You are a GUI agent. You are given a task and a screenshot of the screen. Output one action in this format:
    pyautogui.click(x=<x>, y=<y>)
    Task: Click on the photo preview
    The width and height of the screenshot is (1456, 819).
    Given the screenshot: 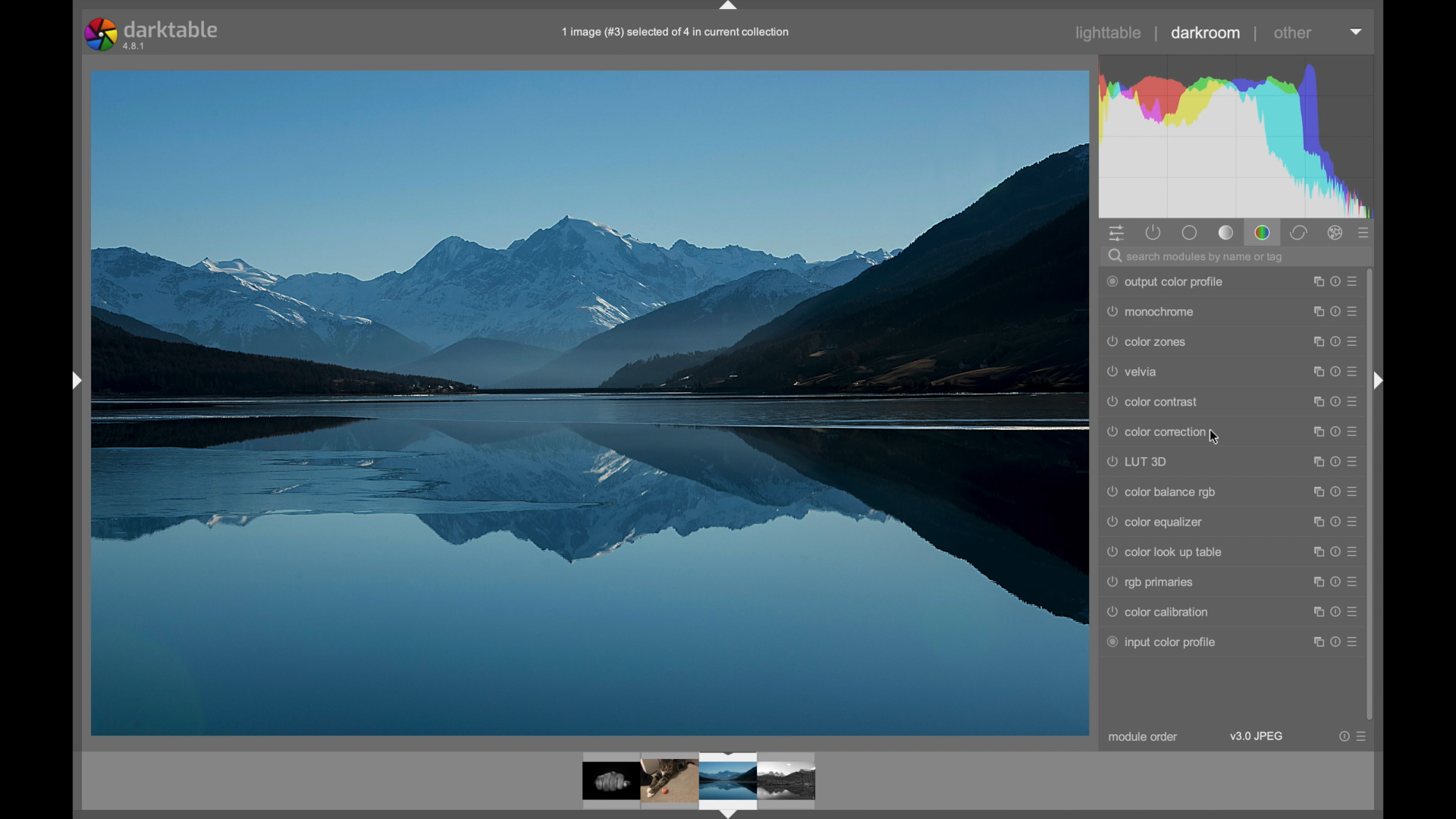 What is the action you would take?
    pyautogui.click(x=588, y=402)
    